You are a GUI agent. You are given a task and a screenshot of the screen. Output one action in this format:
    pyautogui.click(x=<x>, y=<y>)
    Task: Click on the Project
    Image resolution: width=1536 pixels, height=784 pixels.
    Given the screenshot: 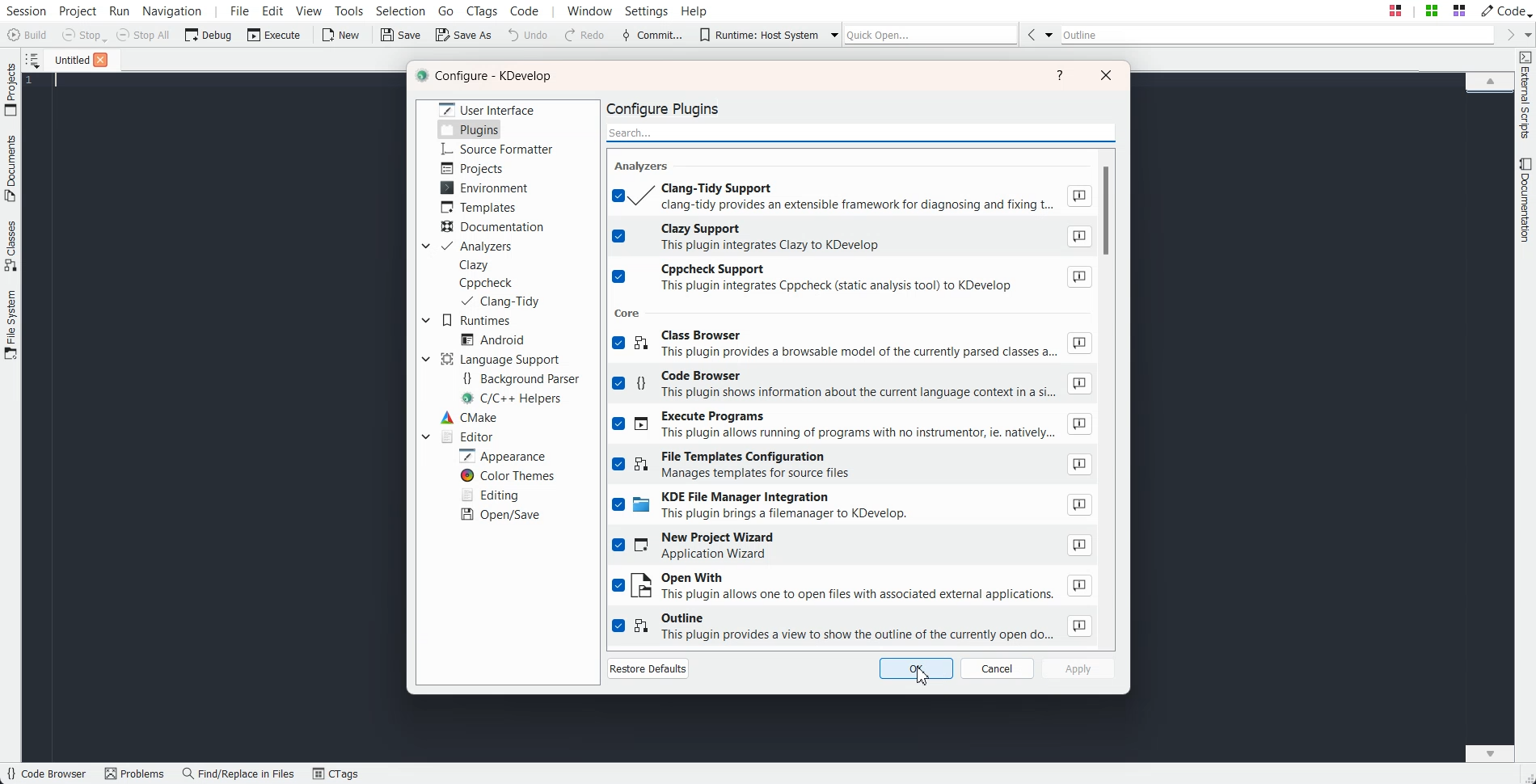 What is the action you would take?
    pyautogui.click(x=11, y=89)
    